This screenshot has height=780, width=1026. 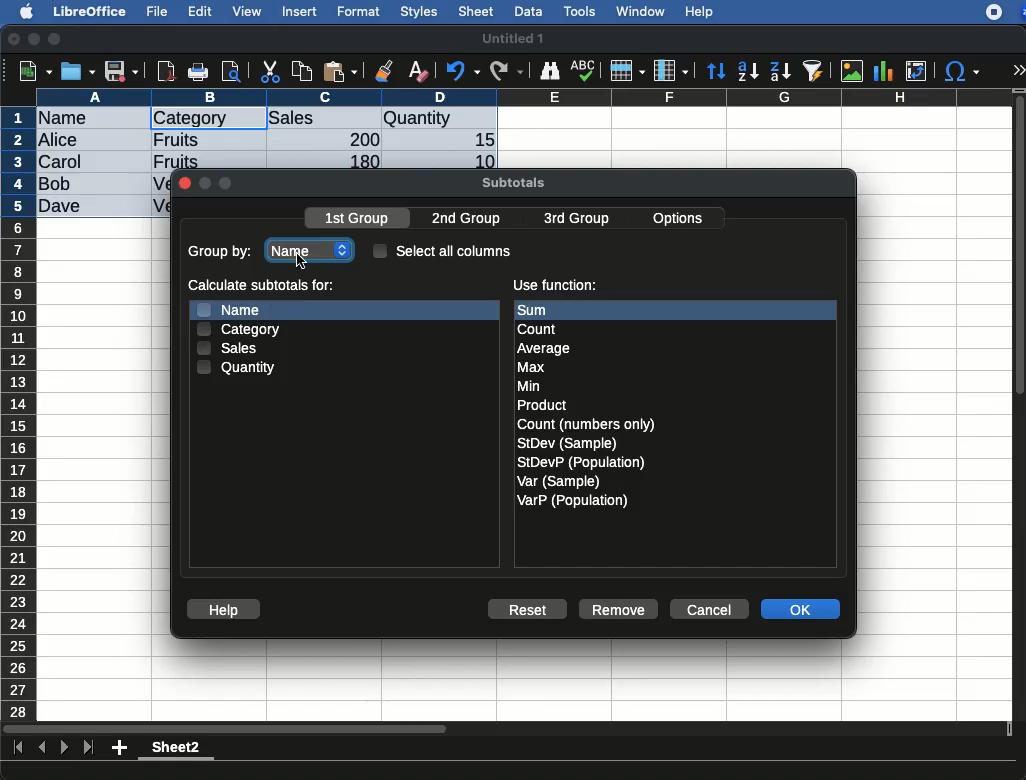 I want to click on chart, so click(x=884, y=71).